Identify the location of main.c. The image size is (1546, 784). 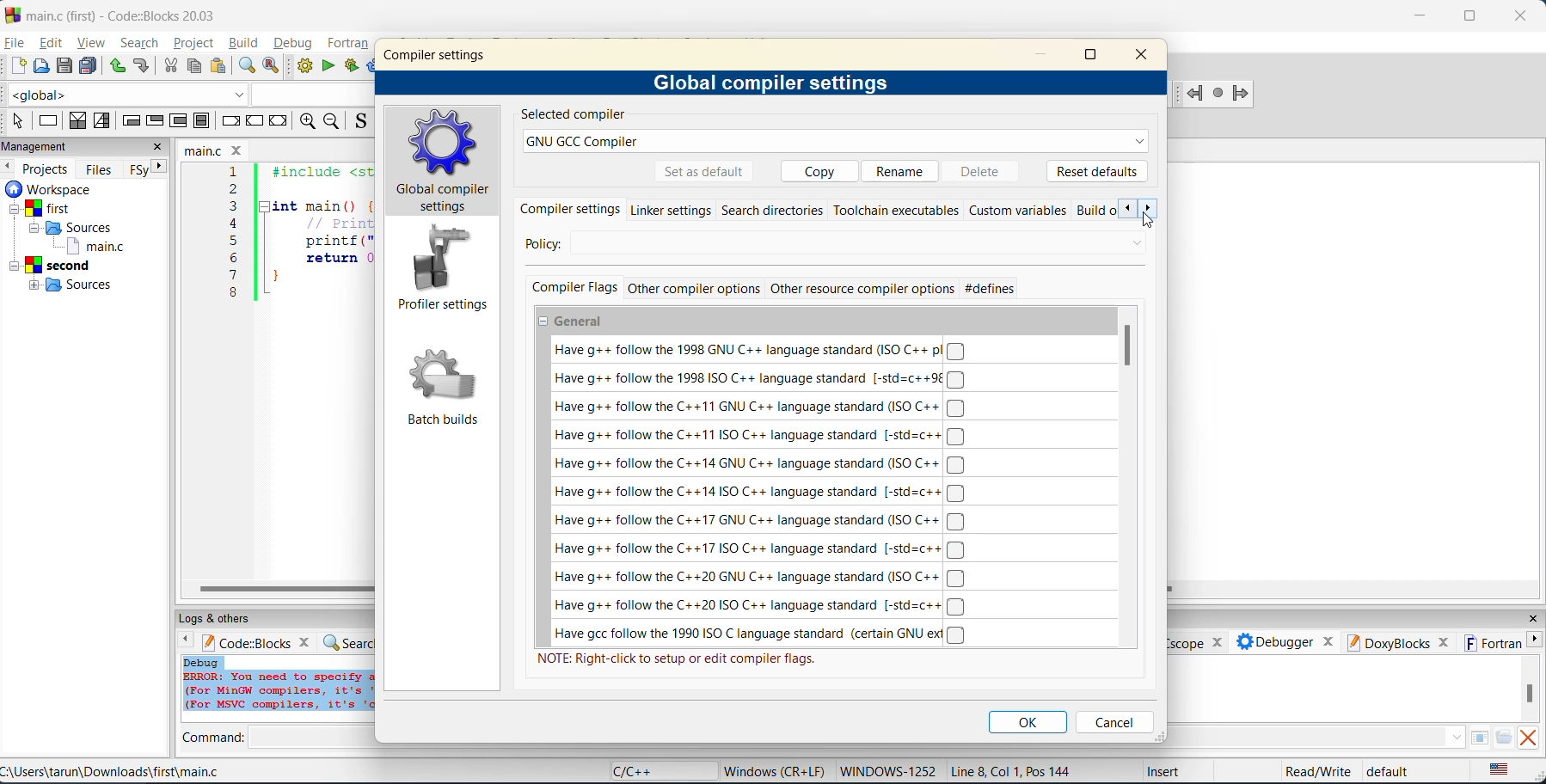
(216, 149).